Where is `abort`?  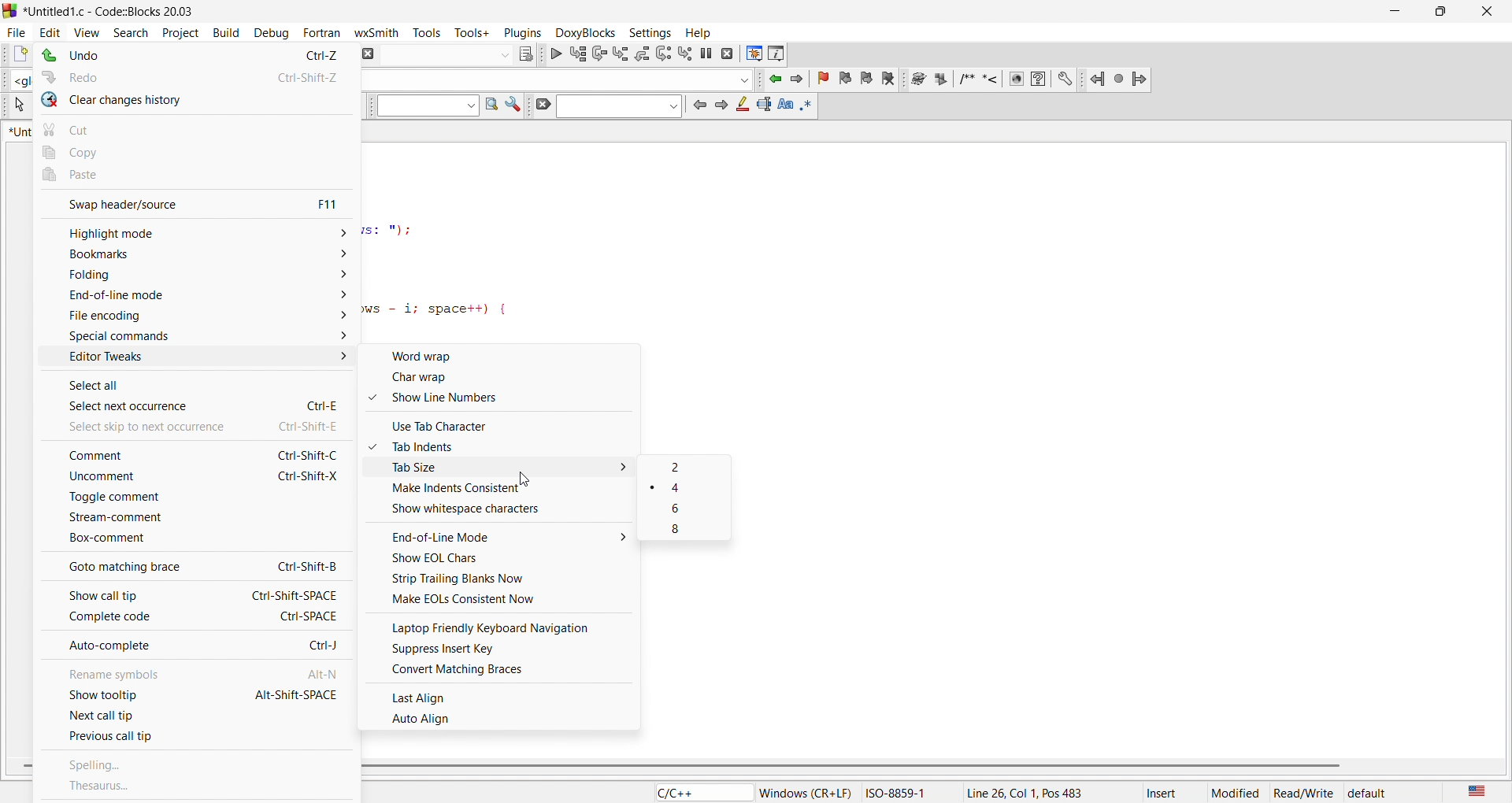 abort is located at coordinates (372, 53).